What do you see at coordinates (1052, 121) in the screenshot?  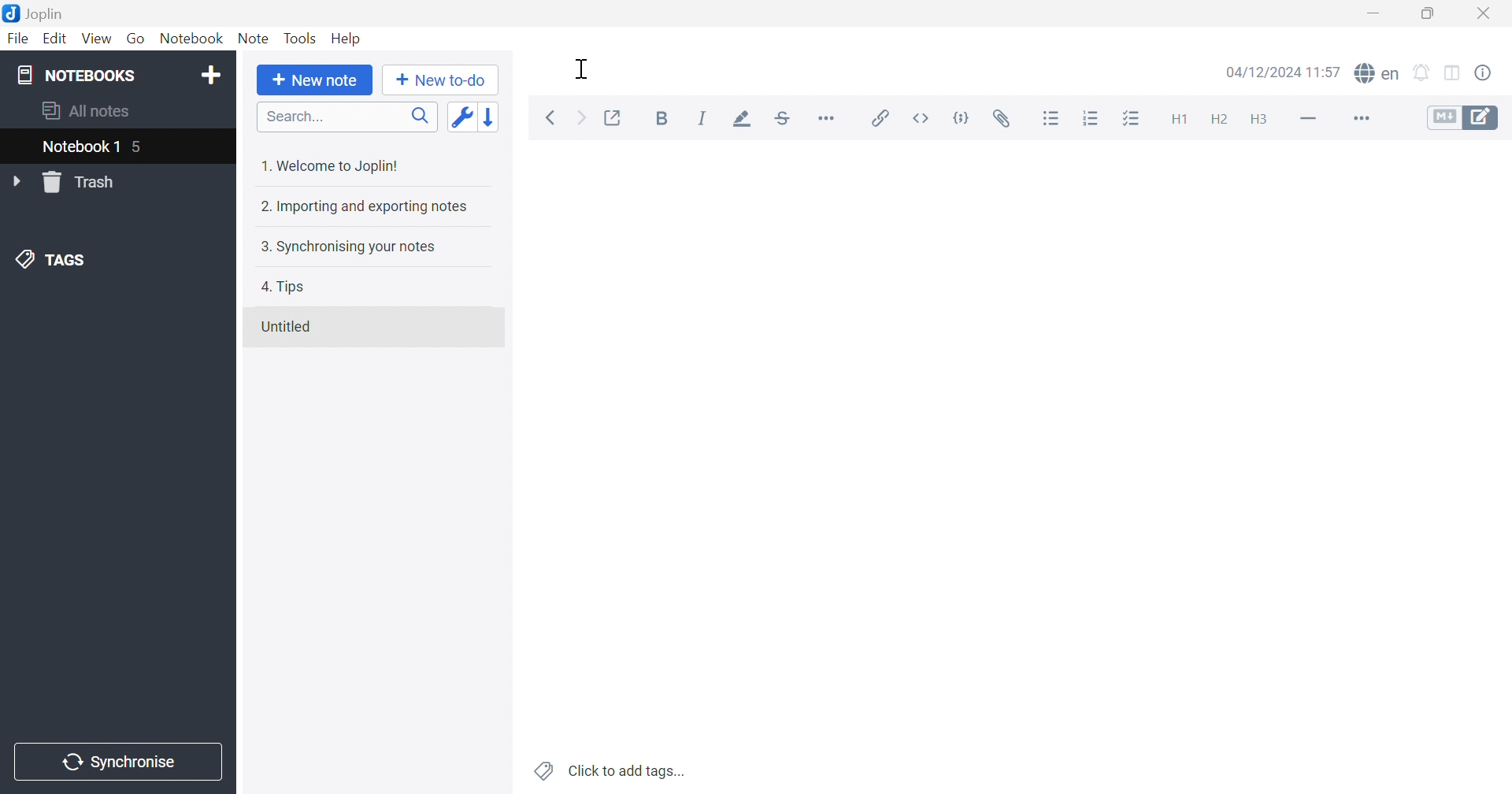 I see `Bulleted list` at bounding box center [1052, 121].